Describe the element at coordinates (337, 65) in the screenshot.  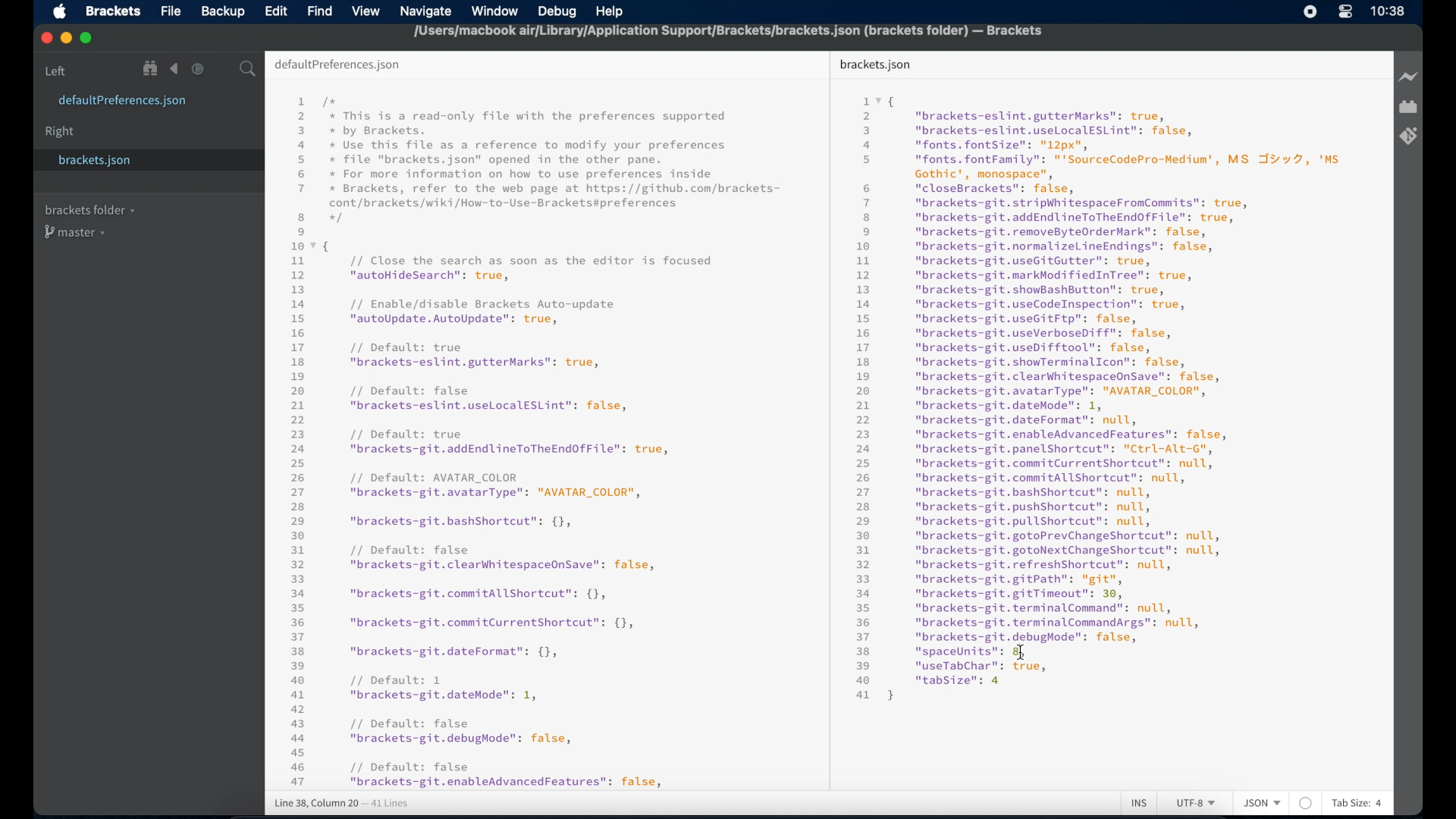
I see `default preferences.json` at that location.